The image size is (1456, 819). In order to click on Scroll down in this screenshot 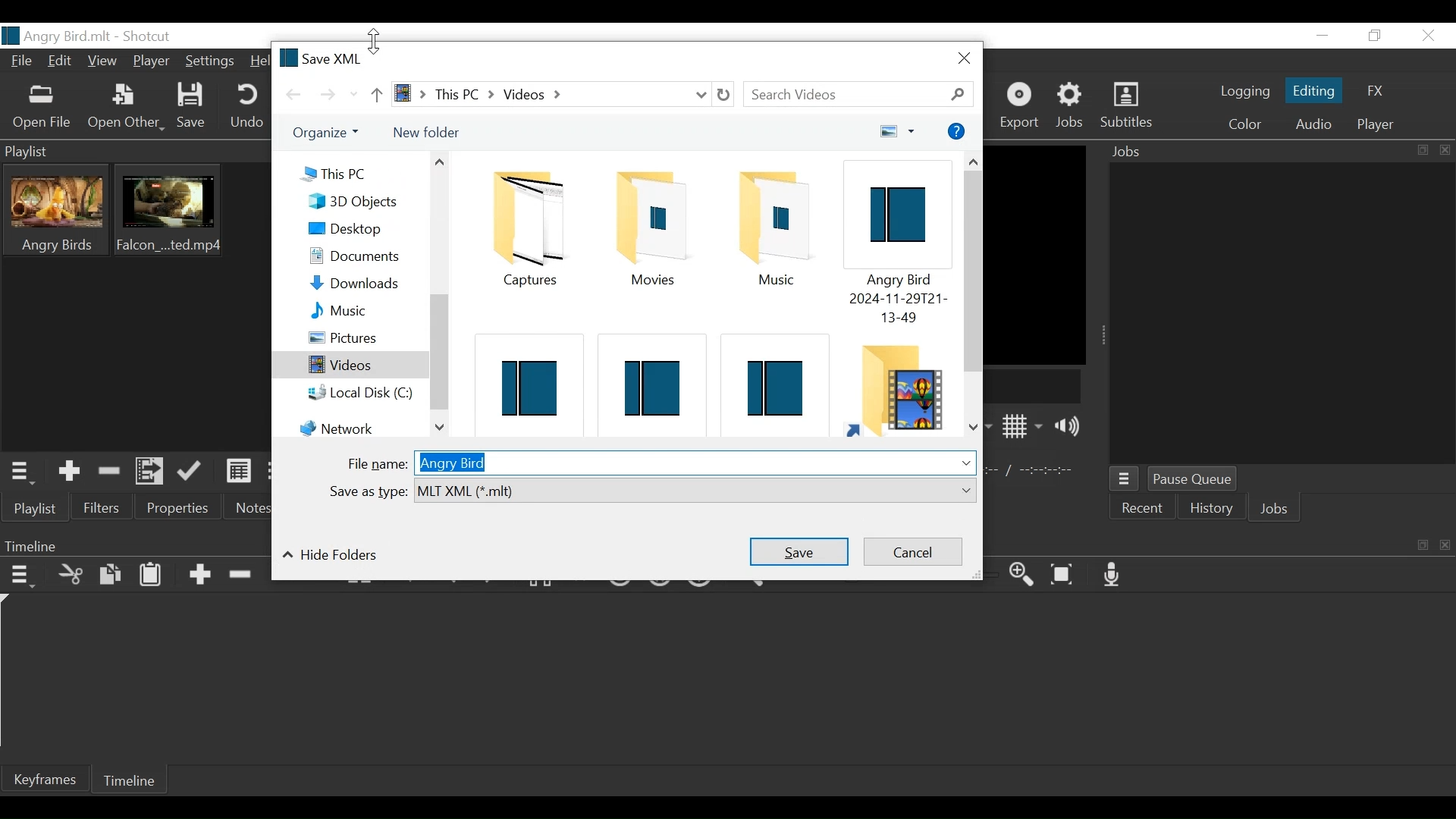, I will do `click(973, 428)`.